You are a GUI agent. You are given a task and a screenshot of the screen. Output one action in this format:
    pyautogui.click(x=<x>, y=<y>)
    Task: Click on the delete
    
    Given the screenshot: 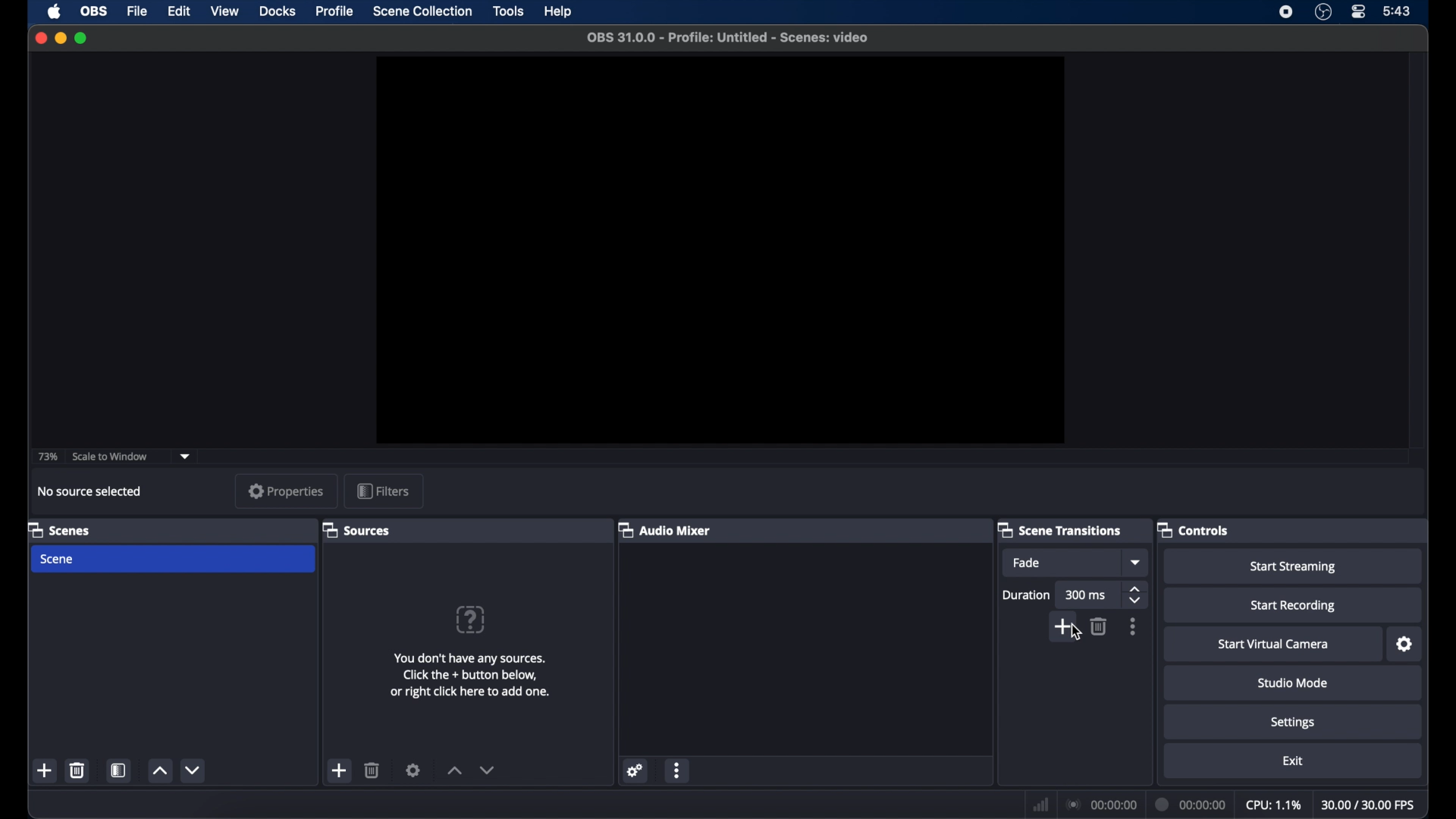 What is the action you would take?
    pyautogui.click(x=1100, y=625)
    